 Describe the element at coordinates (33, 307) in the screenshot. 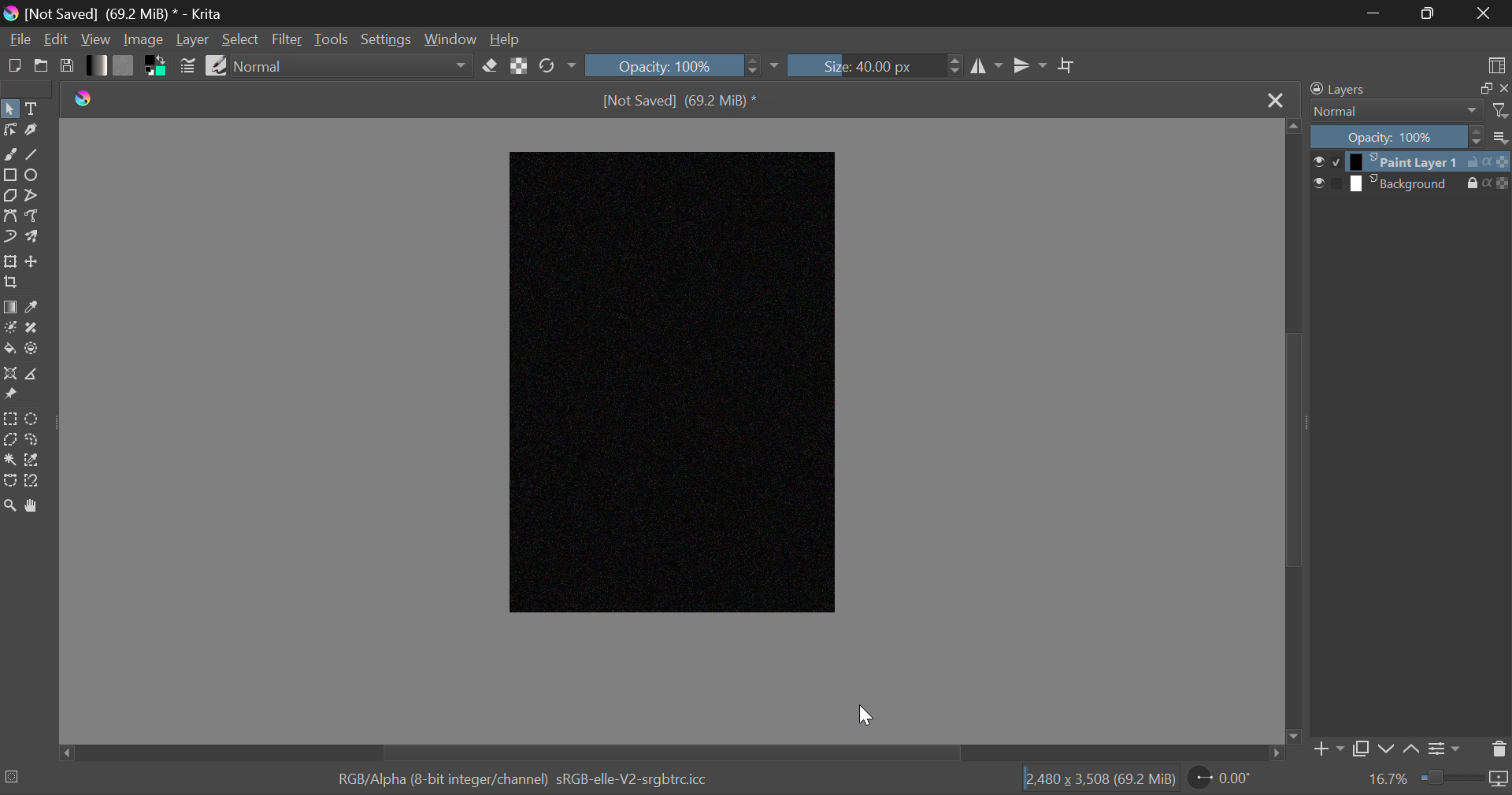

I see `Eyedropper` at that location.